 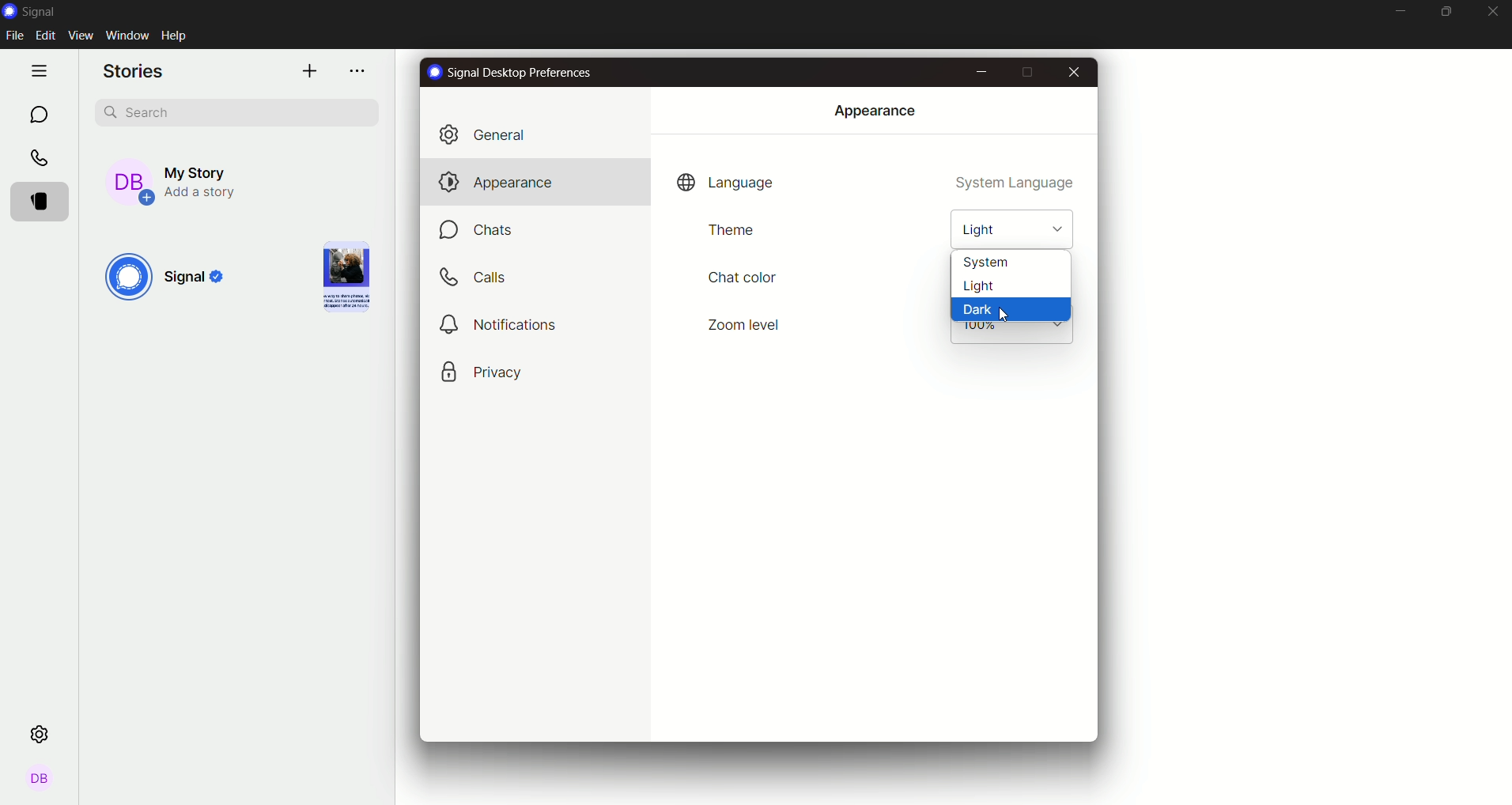 What do you see at coordinates (747, 323) in the screenshot?
I see `zoom level` at bounding box center [747, 323].